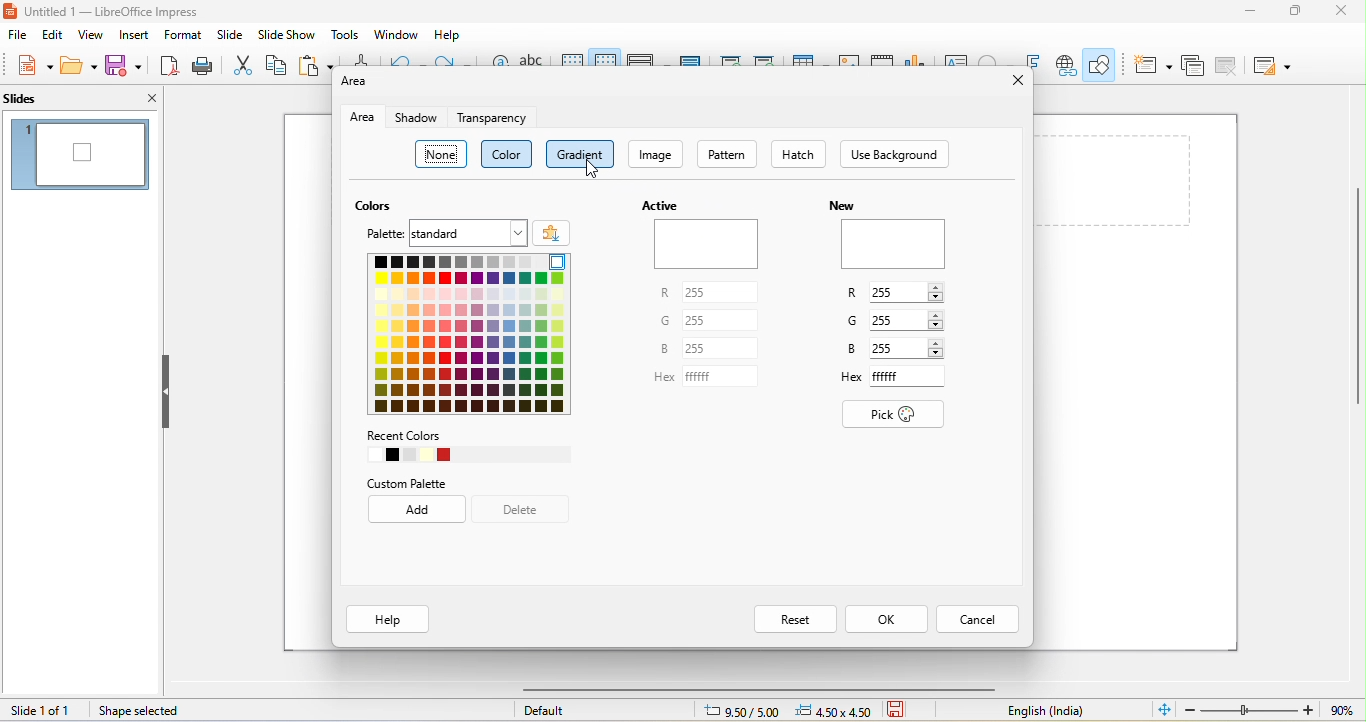 This screenshot has height=722, width=1366. Describe the element at coordinates (855, 295) in the screenshot. I see `R` at that location.